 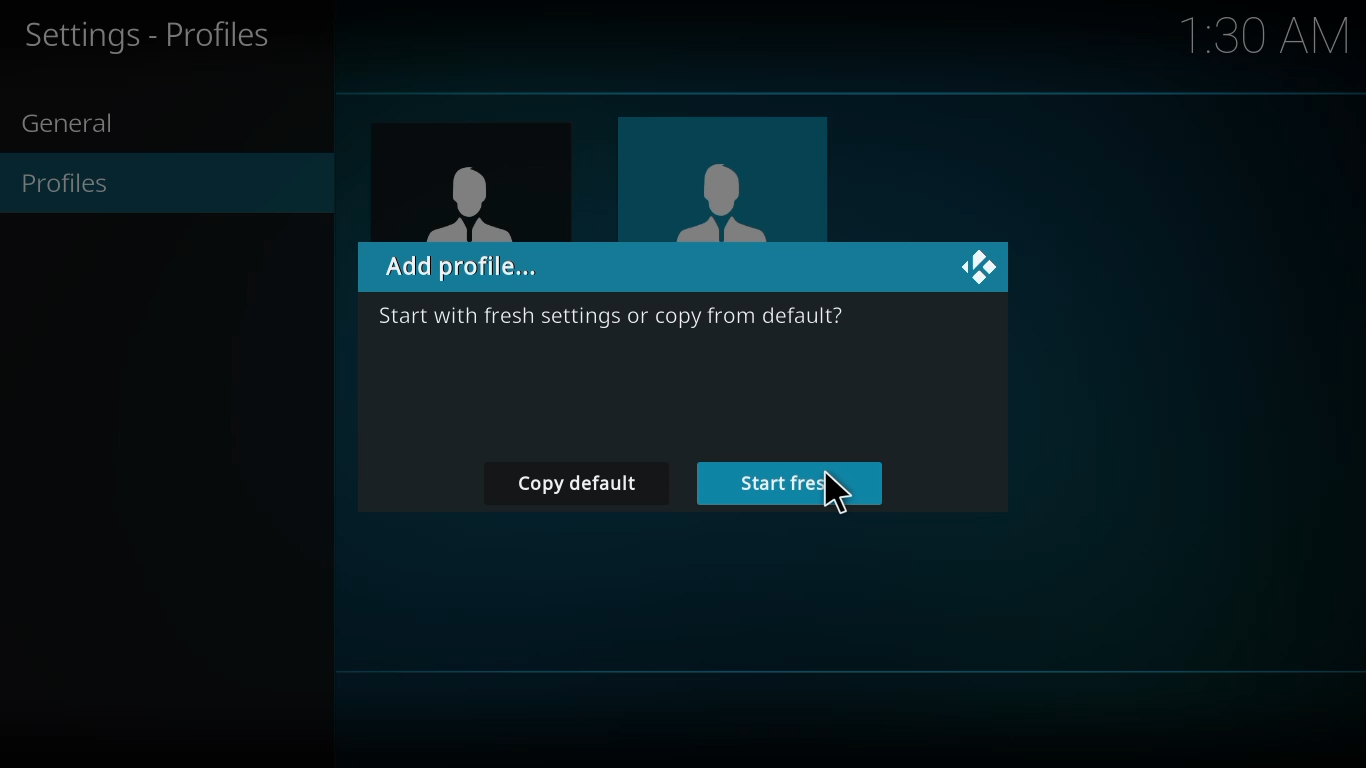 What do you see at coordinates (152, 35) in the screenshot?
I see `profiles` at bounding box center [152, 35].